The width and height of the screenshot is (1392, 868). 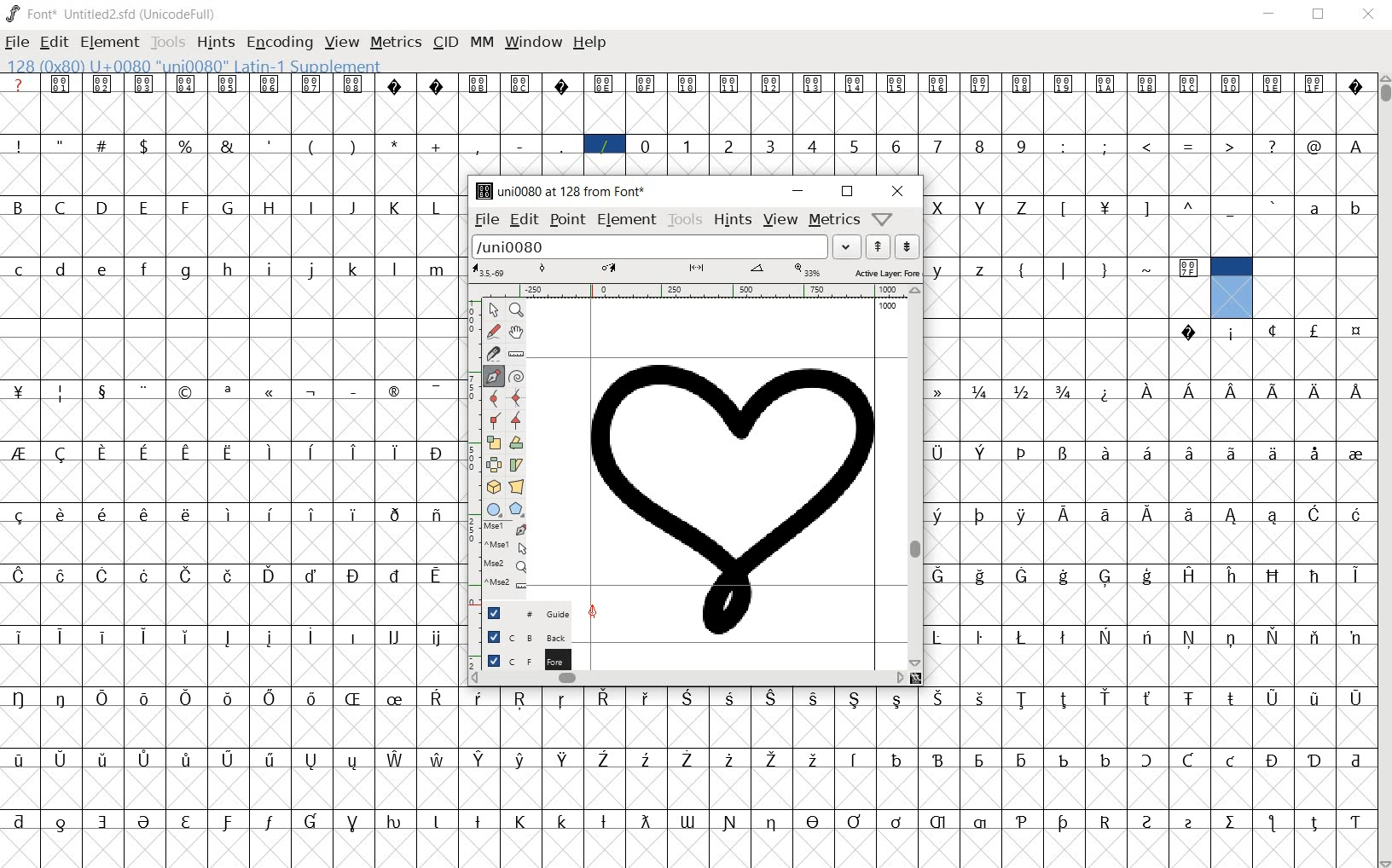 What do you see at coordinates (1314, 761) in the screenshot?
I see `glyph` at bounding box center [1314, 761].